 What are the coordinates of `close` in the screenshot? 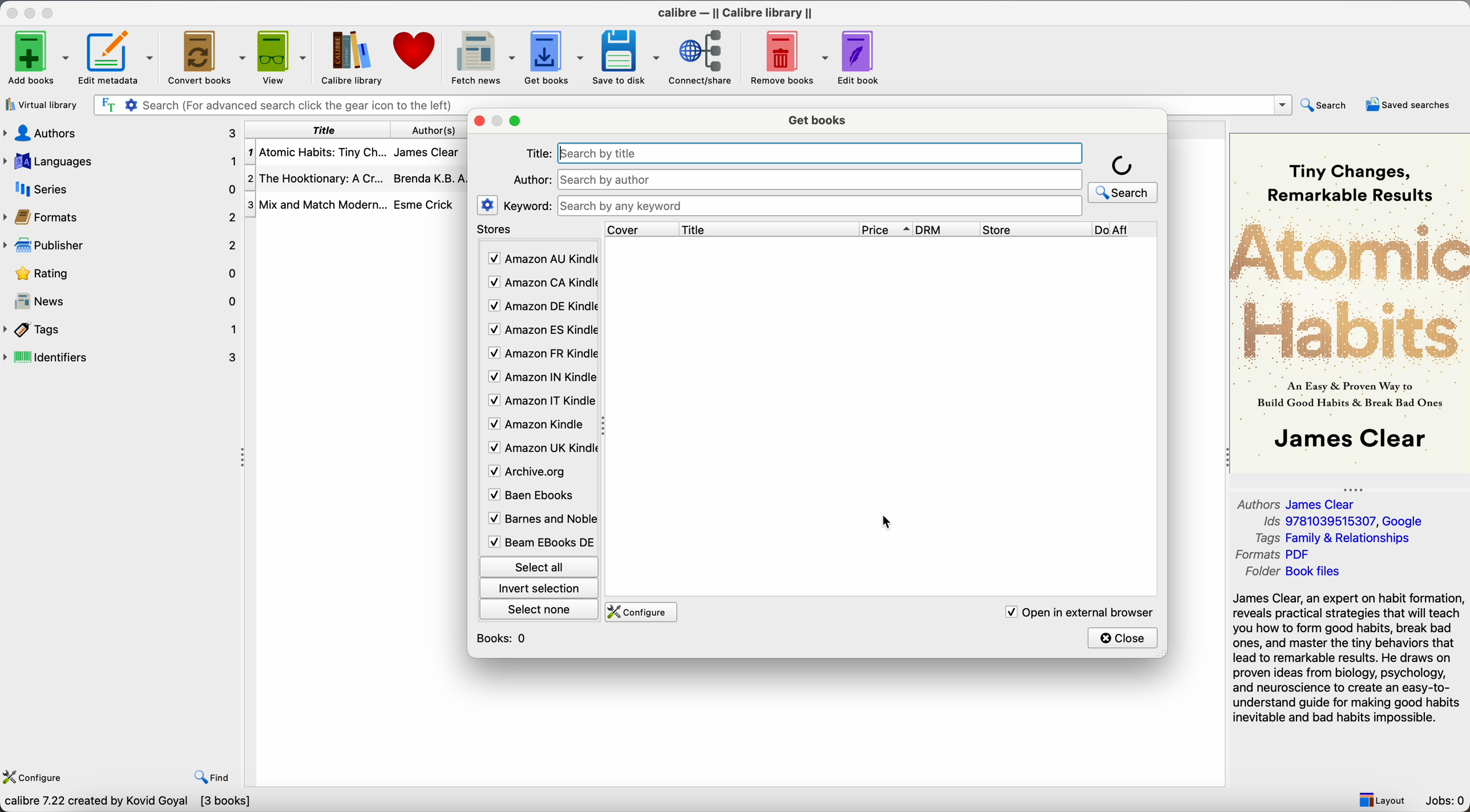 It's located at (1124, 637).